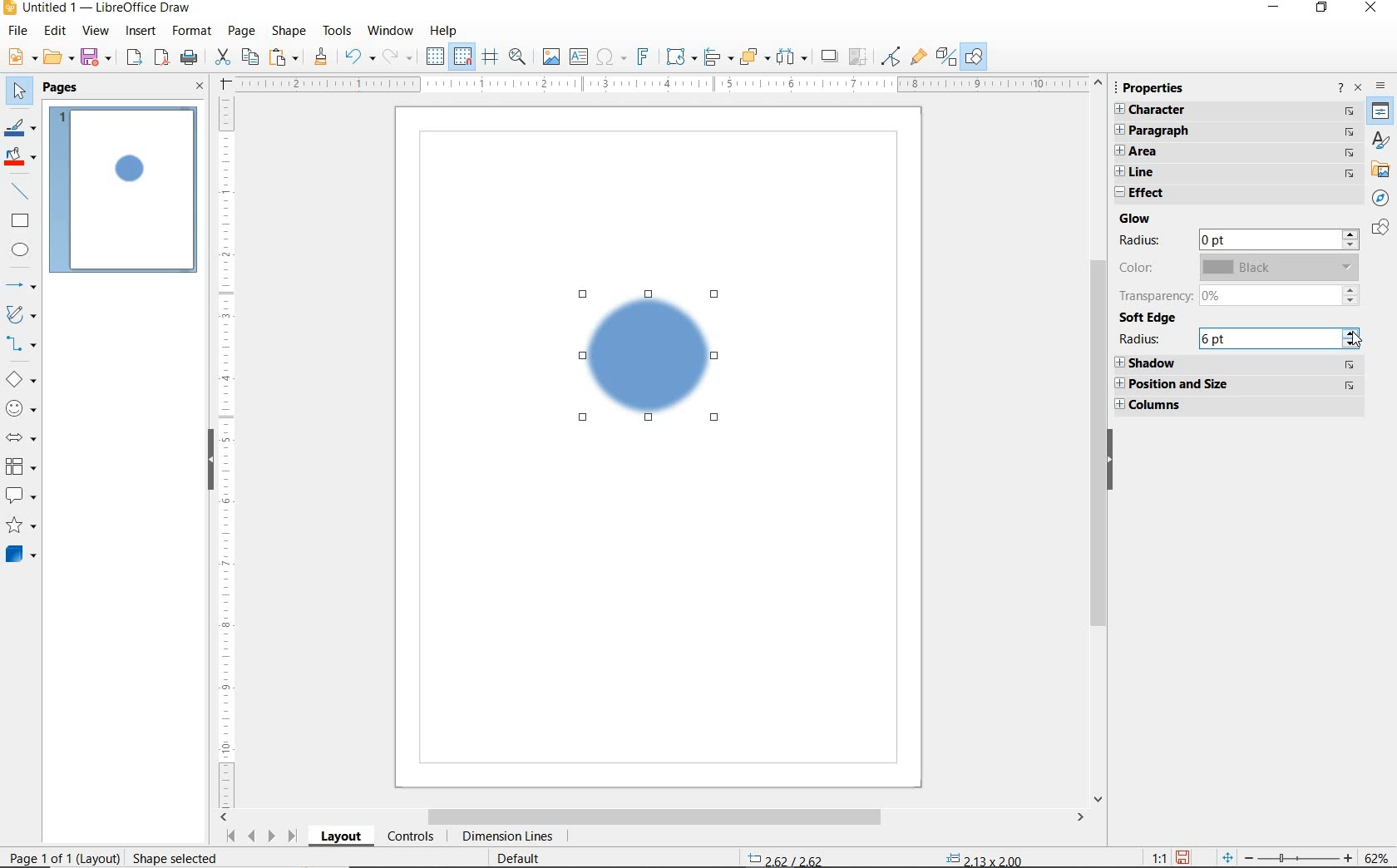  I want to click on TOGGLE EXTRUSION, so click(945, 58).